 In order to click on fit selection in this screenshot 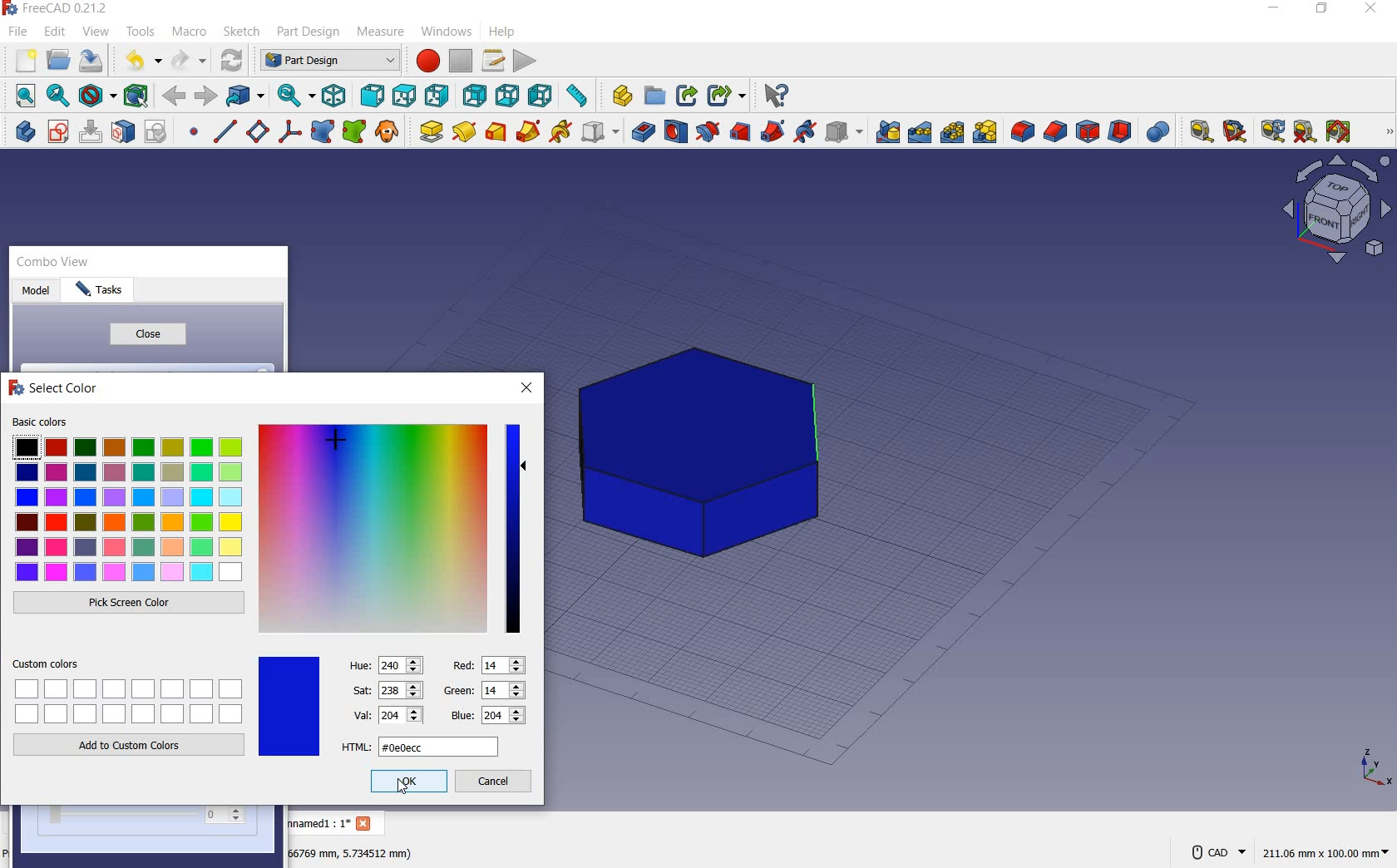, I will do `click(57, 96)`.